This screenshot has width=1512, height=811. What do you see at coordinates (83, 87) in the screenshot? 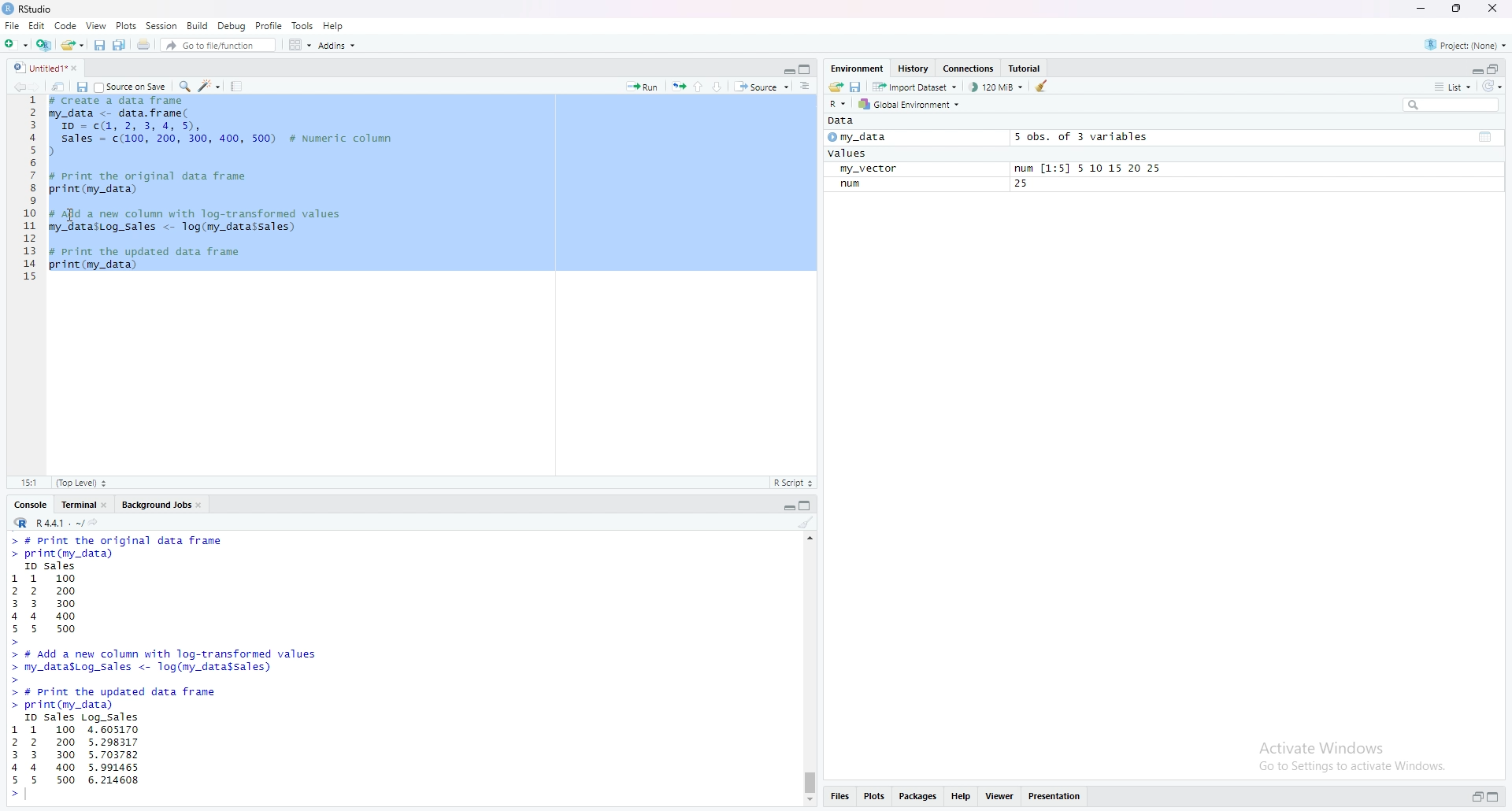
I see `save current document` at bounding box center [83, 87].